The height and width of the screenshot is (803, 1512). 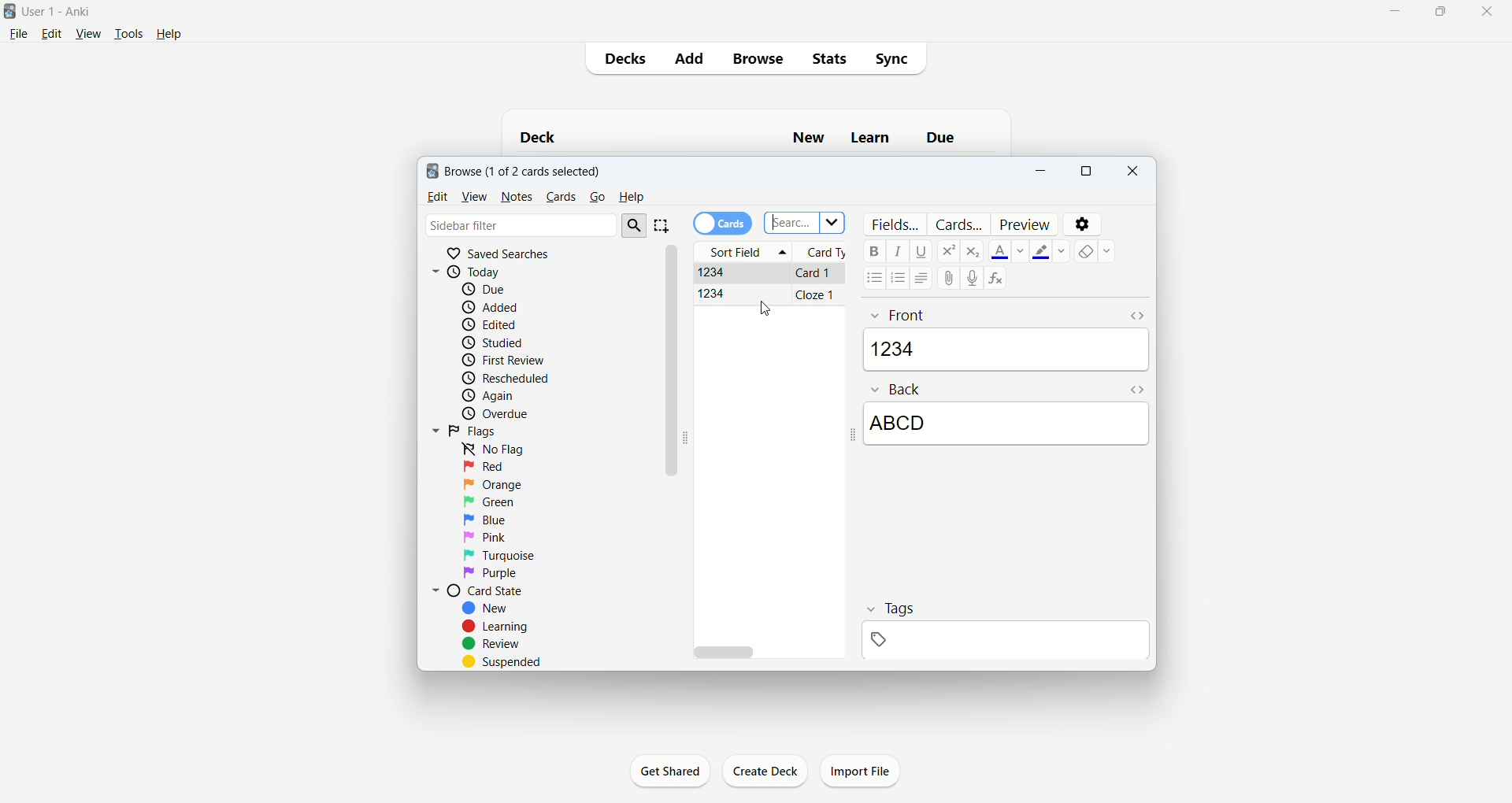 I want to click on saved searches, so click(x=494, y=253).